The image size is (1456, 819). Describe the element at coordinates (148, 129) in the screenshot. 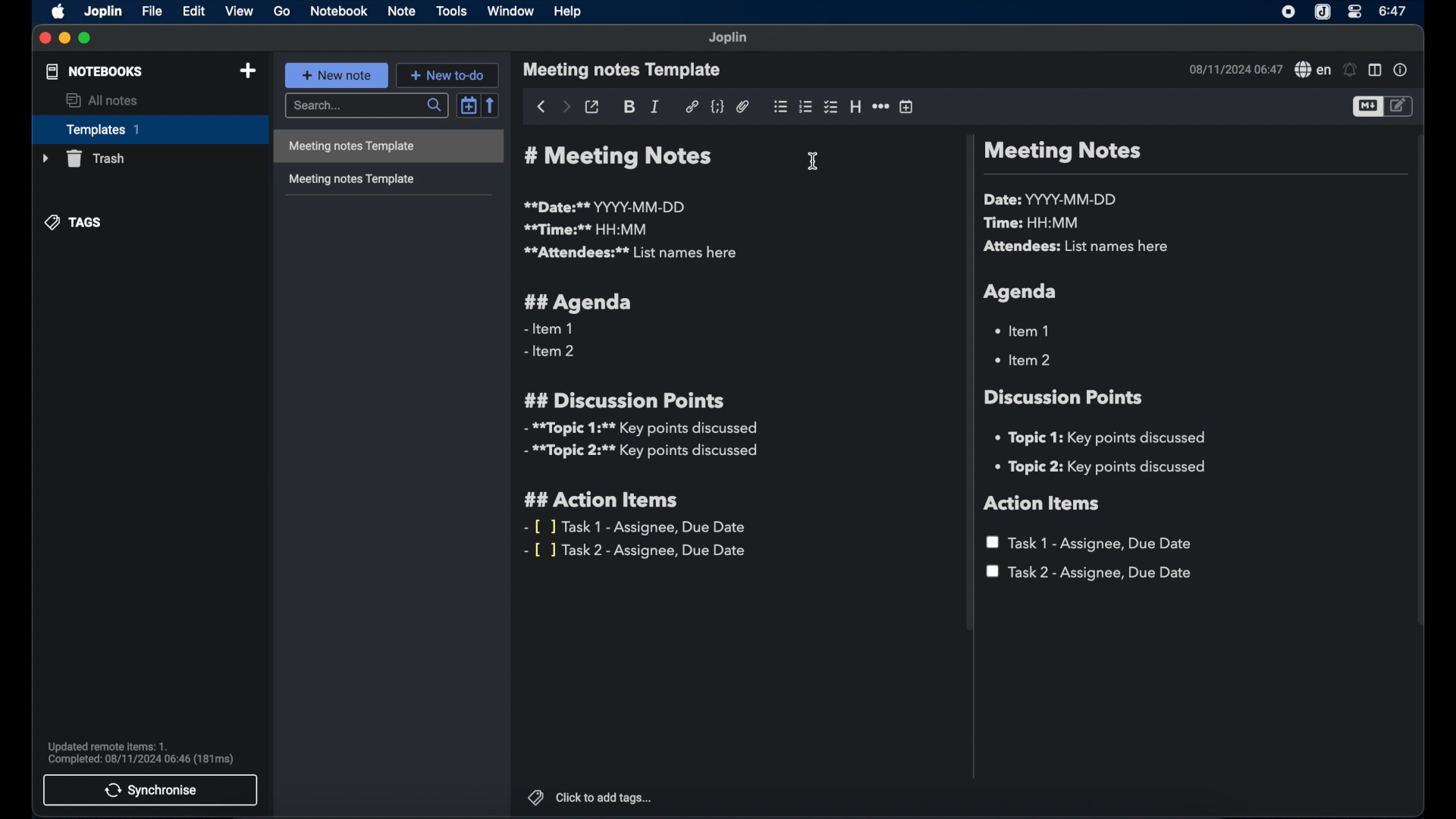

I see `templates 1` at that location.